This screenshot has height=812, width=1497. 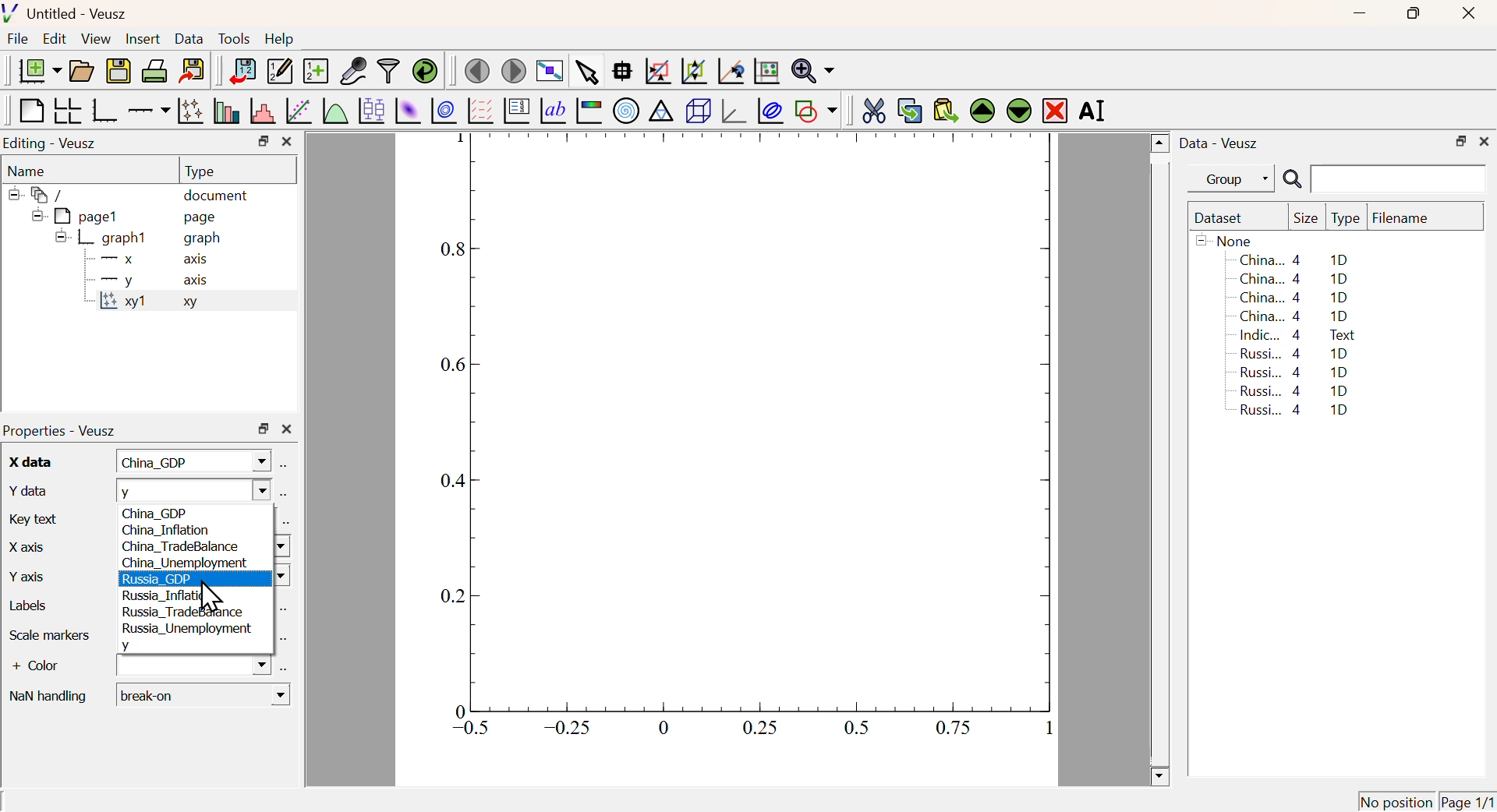 What do you see at coordinates (193, 69) in the screenshot?
I see `Export to graphics format` at bounding box center [193, 69].